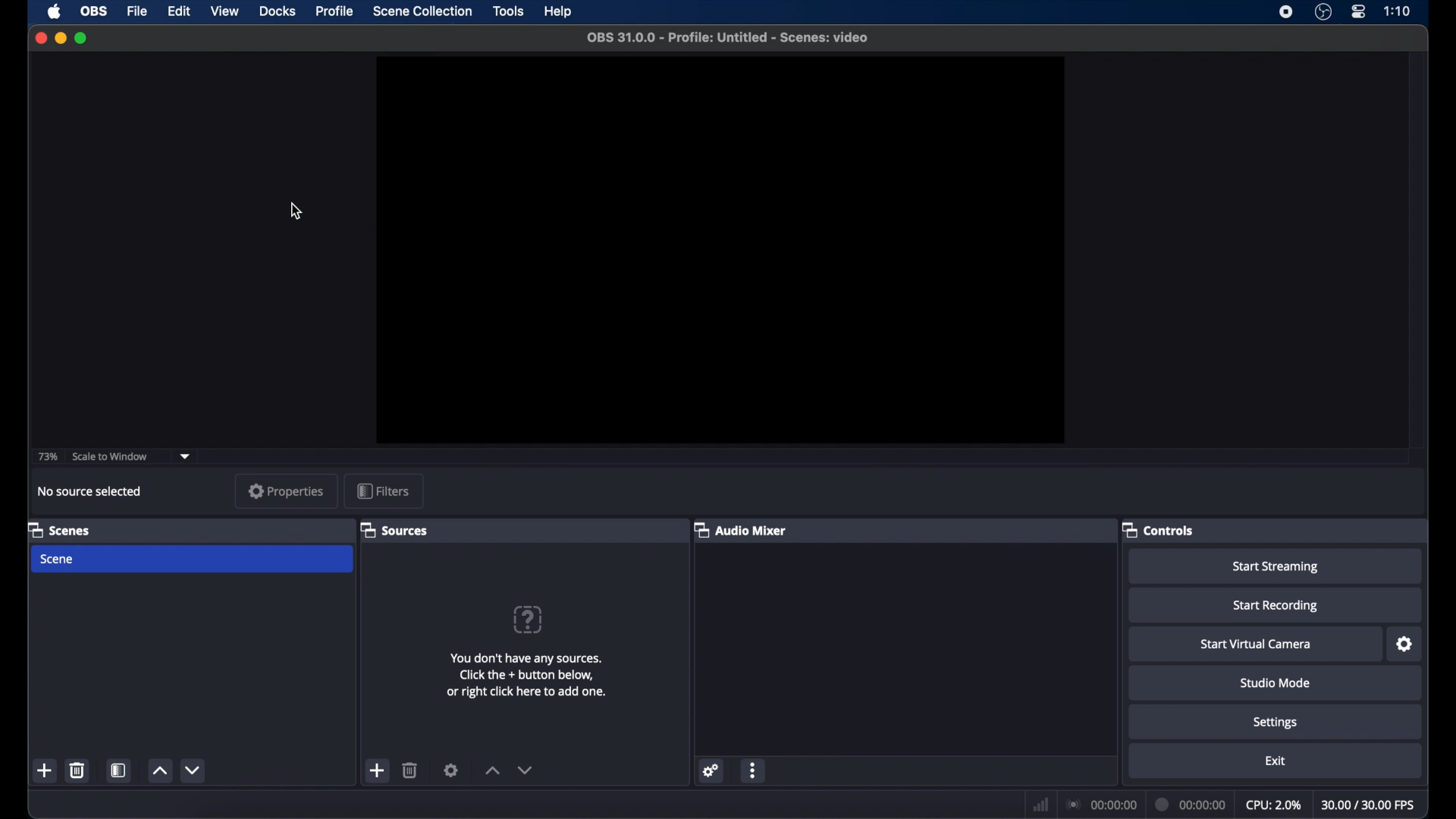 This screenshot has width=1456, height=819. Describe the element at coordinates (730, 38) in the screenshot. I see `file name` at that location.